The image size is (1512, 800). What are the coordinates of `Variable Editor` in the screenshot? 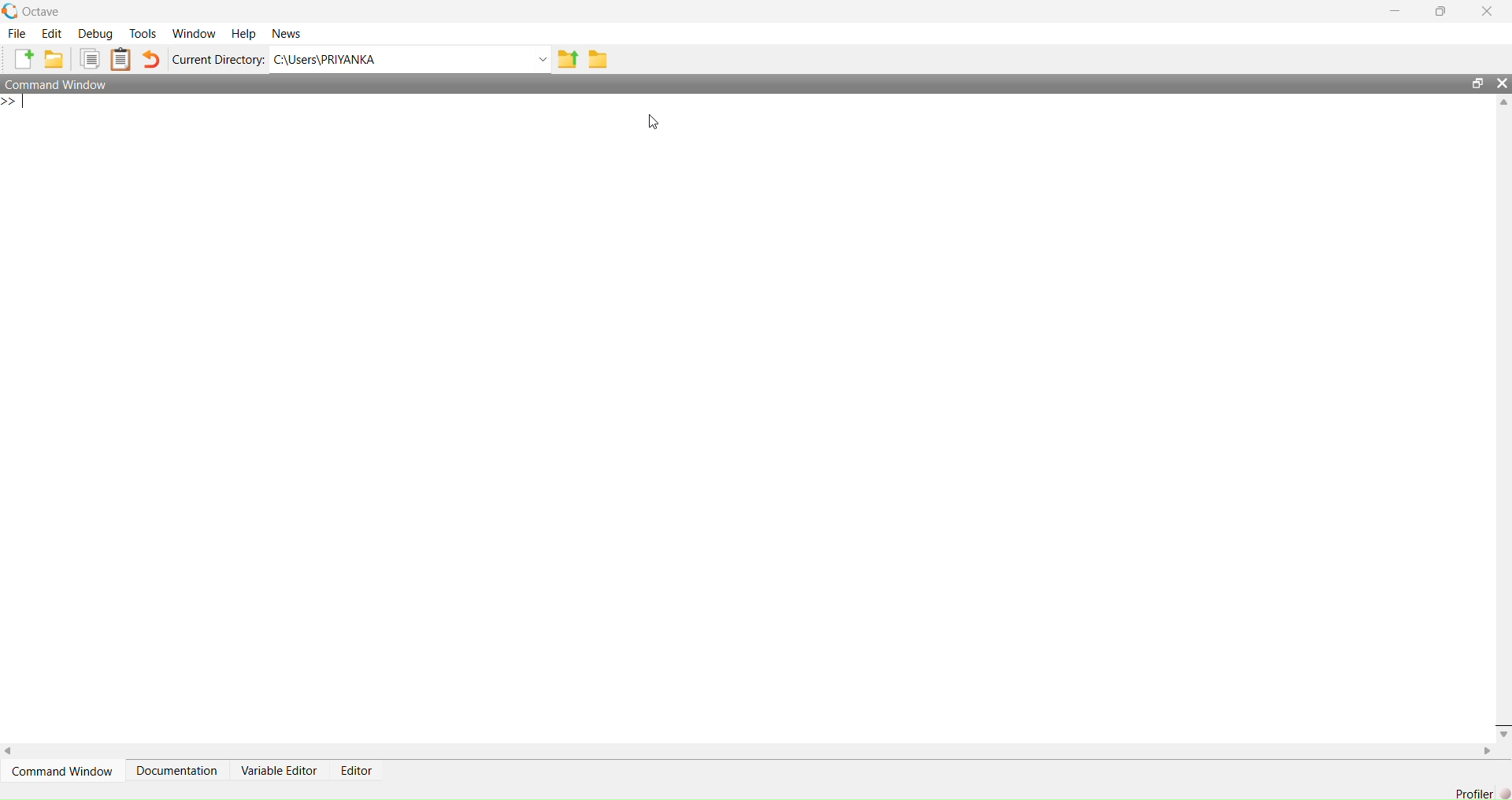 It's located at (280, 770).